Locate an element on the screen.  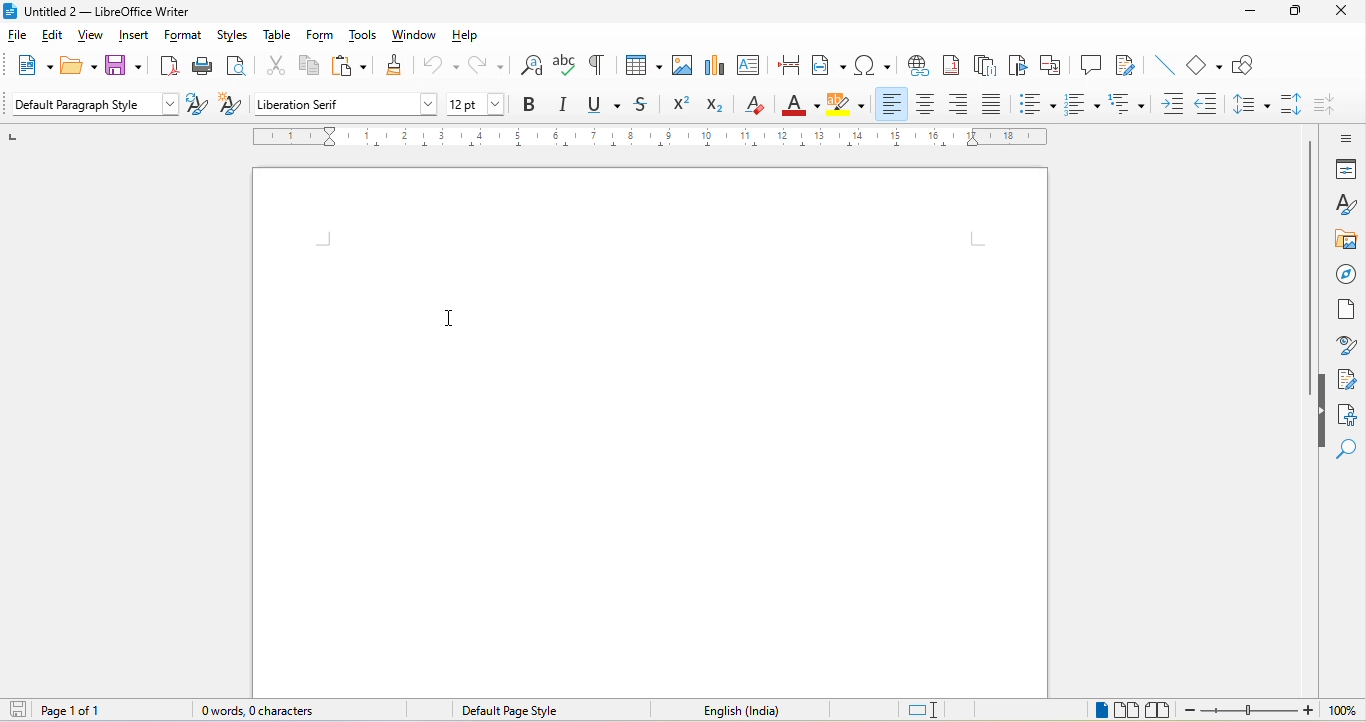
styles is located at coordinates (237, 37).